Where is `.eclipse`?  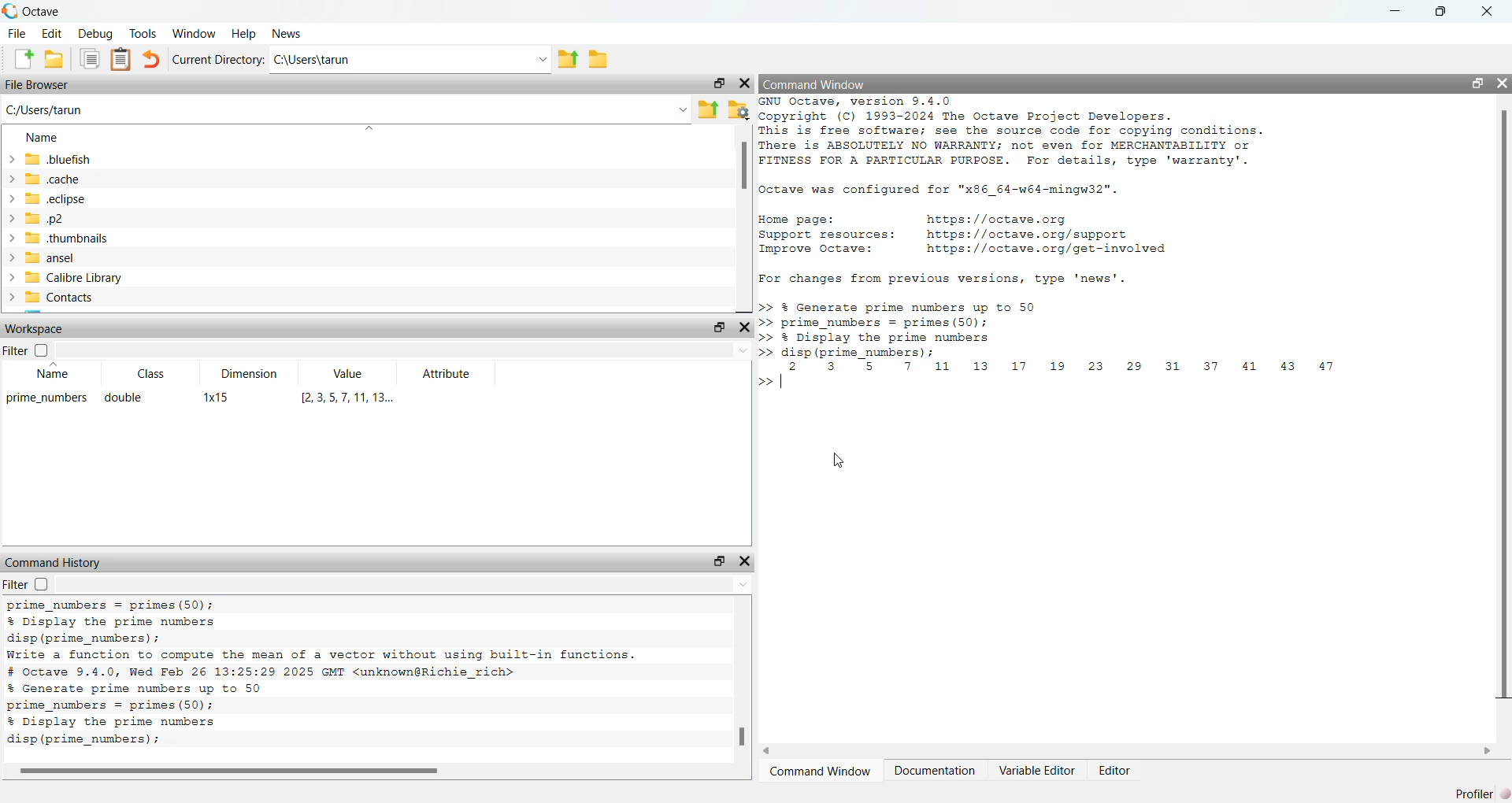 .eclipse is located at coordinates (55, 200).